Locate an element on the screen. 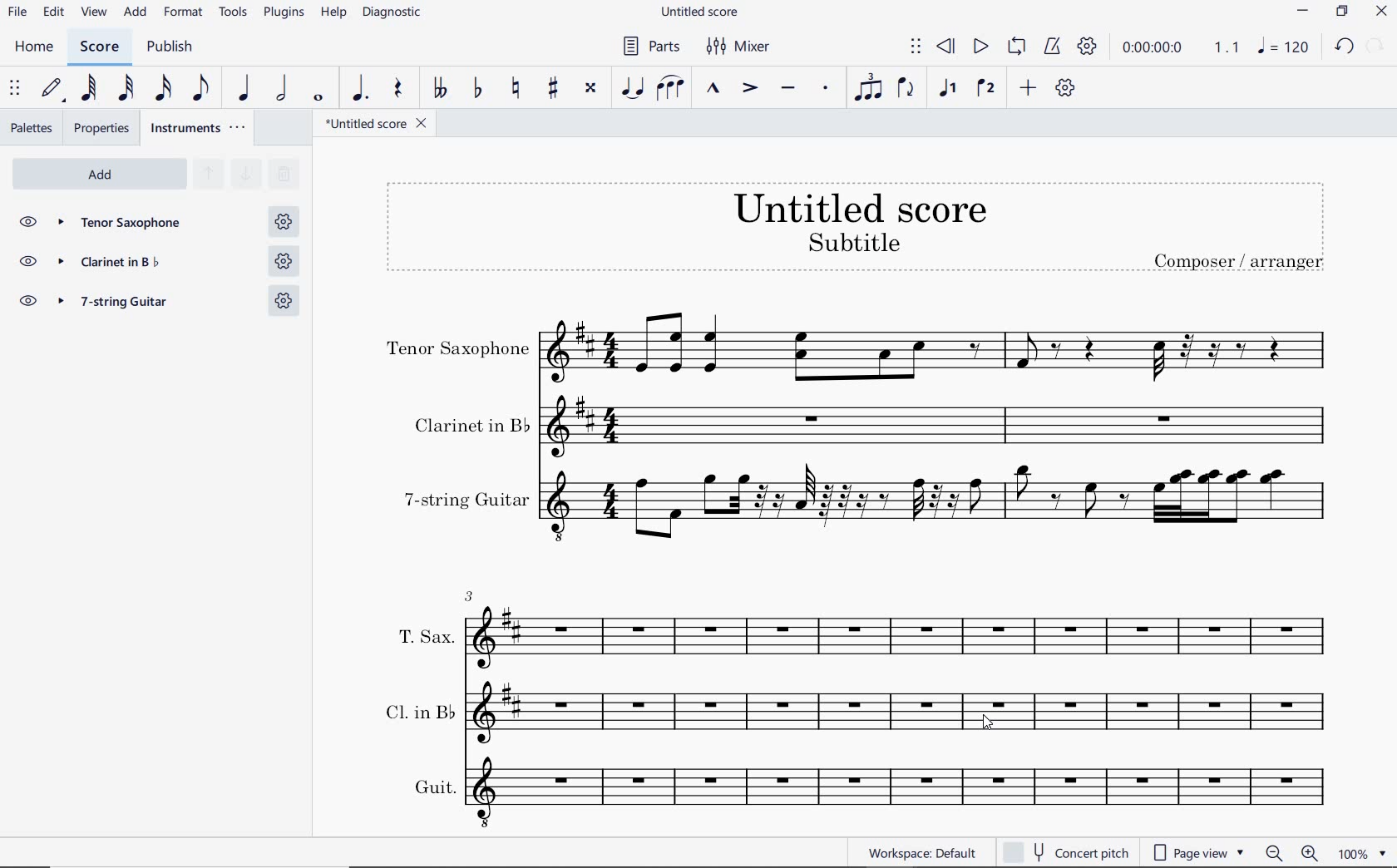  settings is located at coordinates (283, 262).